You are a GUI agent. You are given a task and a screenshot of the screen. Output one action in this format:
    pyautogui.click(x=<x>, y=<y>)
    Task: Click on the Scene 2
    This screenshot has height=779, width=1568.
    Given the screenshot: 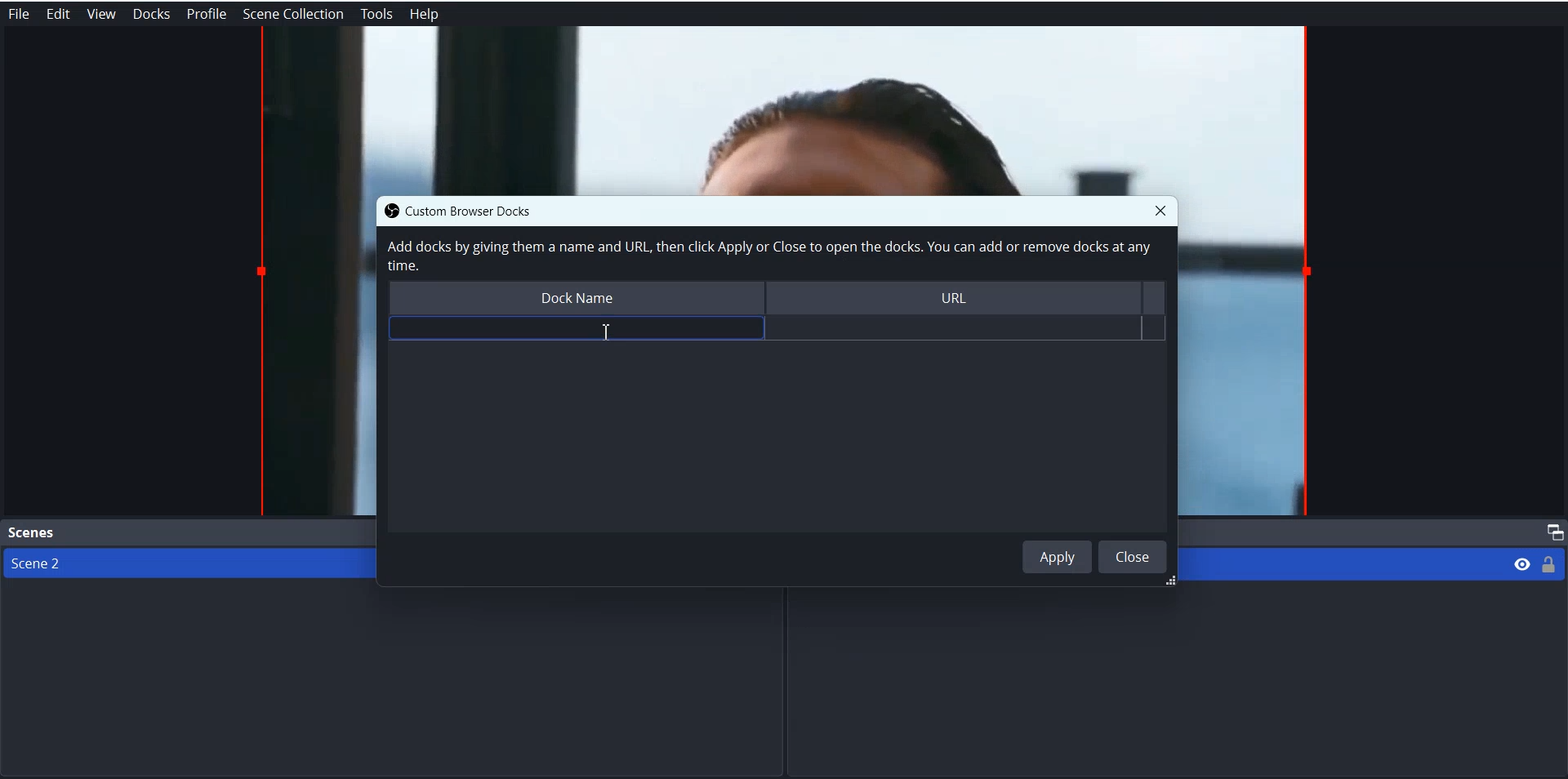 What is the action you would take?
    pyautogui.click(x=180, y=563)
    